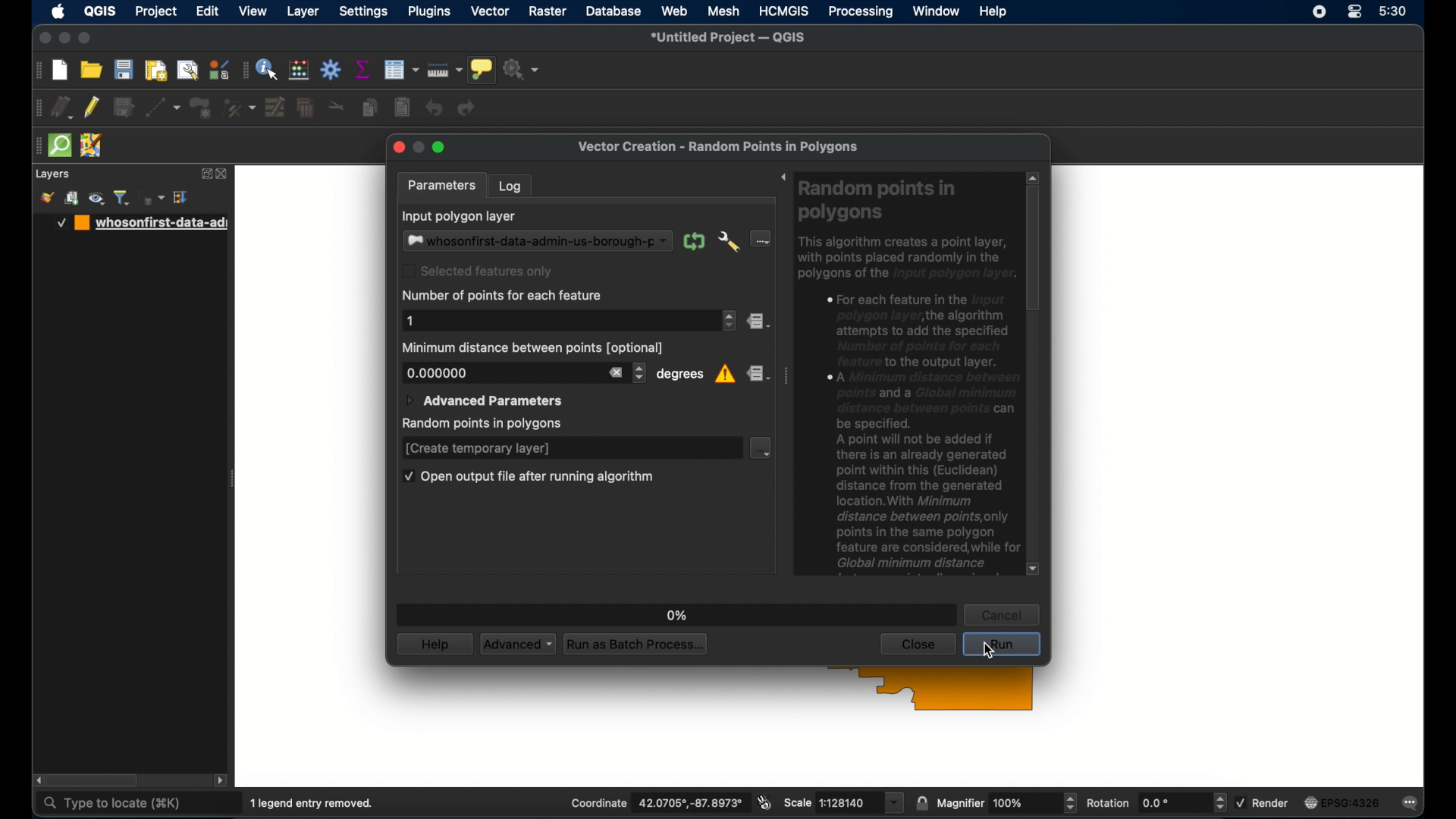 This screenshot has width=1456, height=819. I want to click on save project, so click(124, 70).